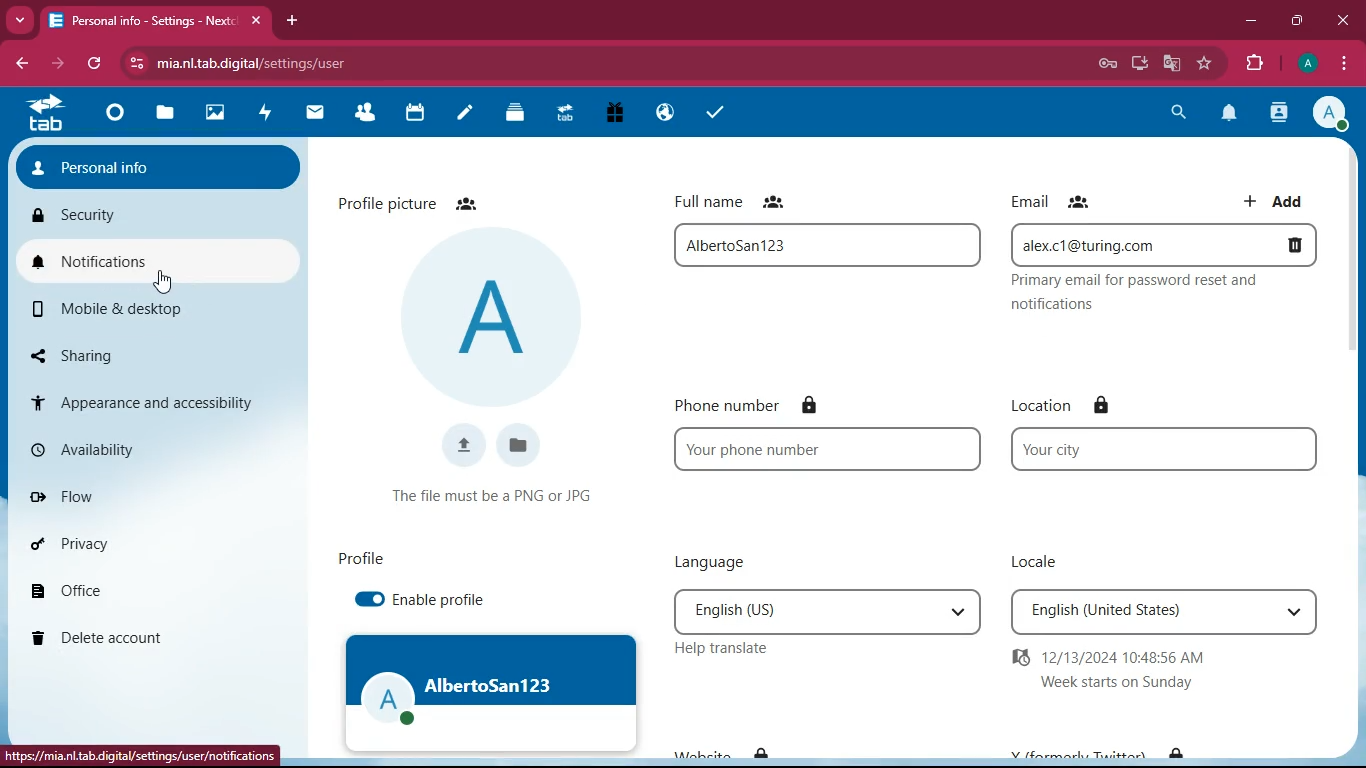 The image size is (1366, 768). Describe the element at coordinates (255, 22) in the screenshot. I see `close` at that location.